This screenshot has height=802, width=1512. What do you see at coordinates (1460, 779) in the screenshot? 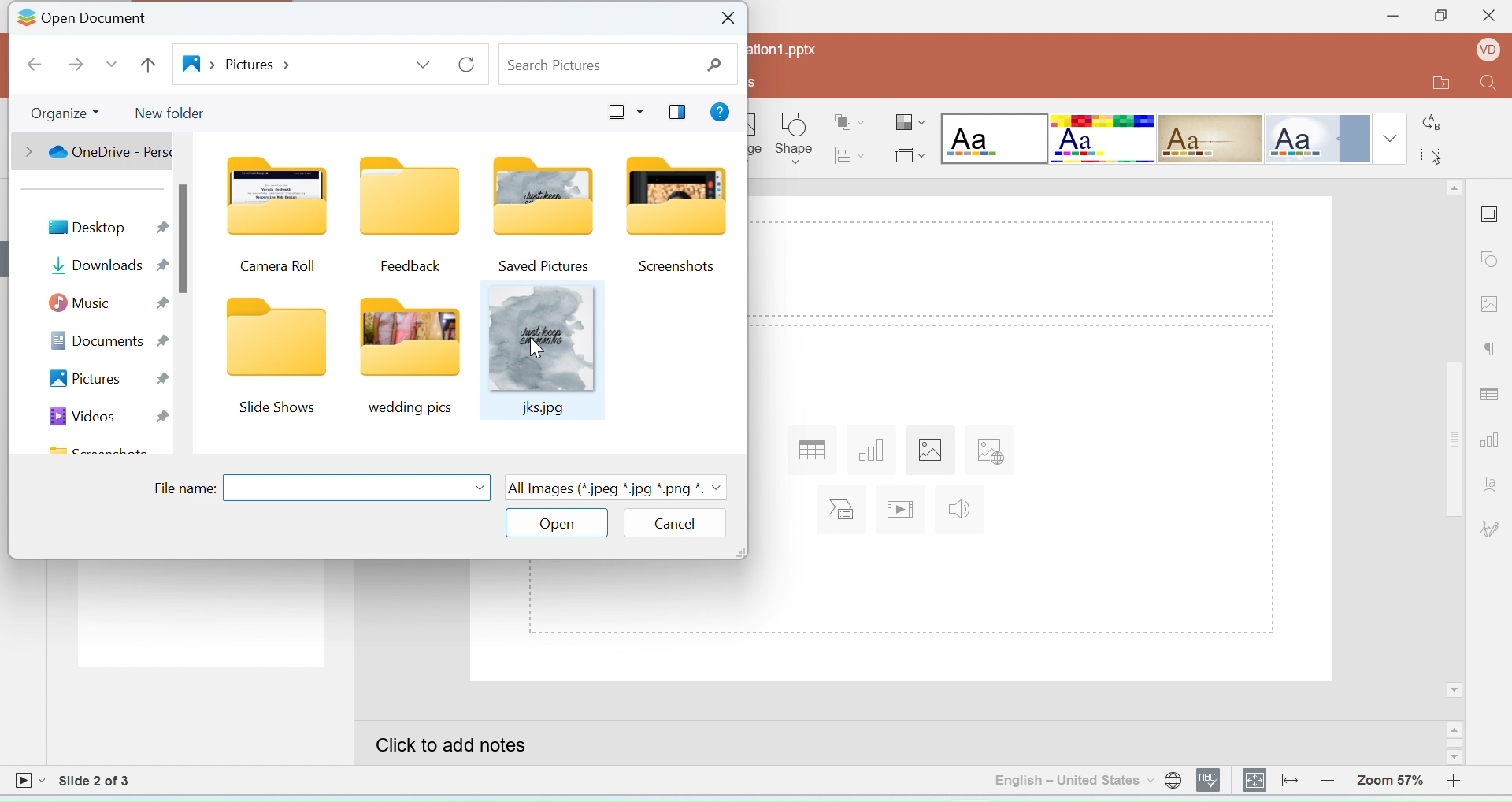
I see `Zoom in` at bounding box center [1460, 779].